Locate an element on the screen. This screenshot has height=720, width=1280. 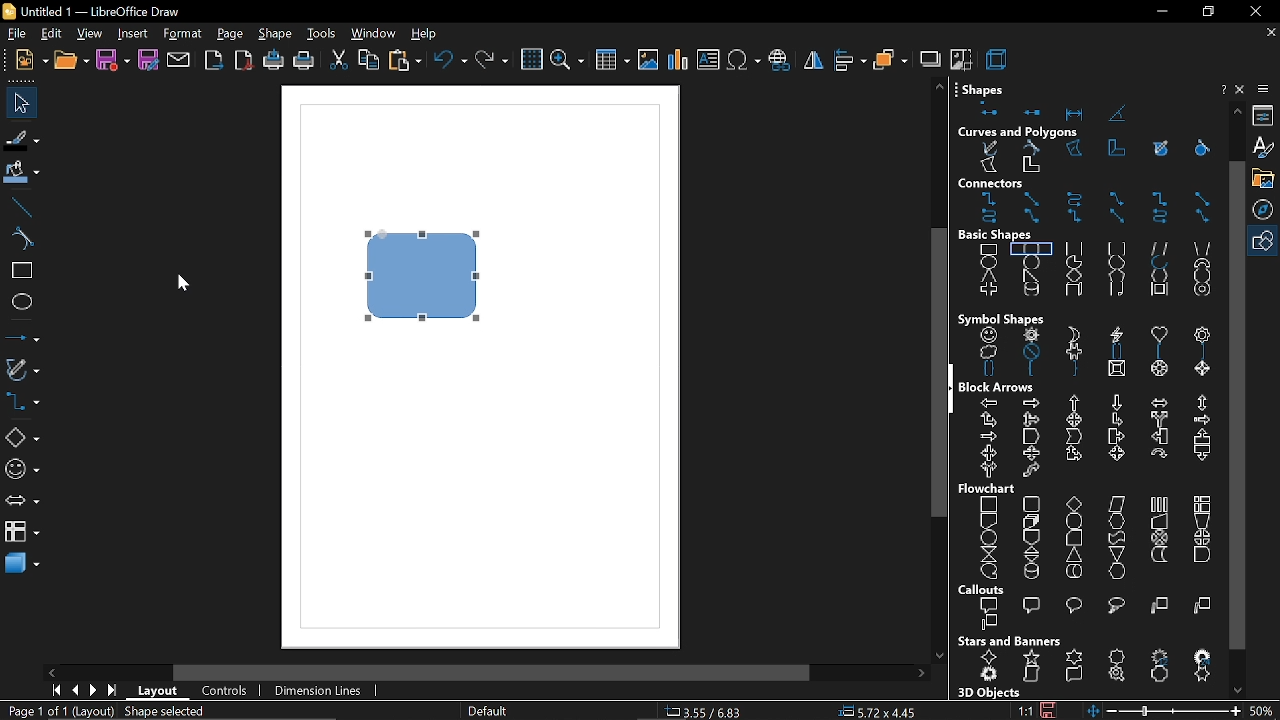
export as pdf is located at coordinates (244, 60).